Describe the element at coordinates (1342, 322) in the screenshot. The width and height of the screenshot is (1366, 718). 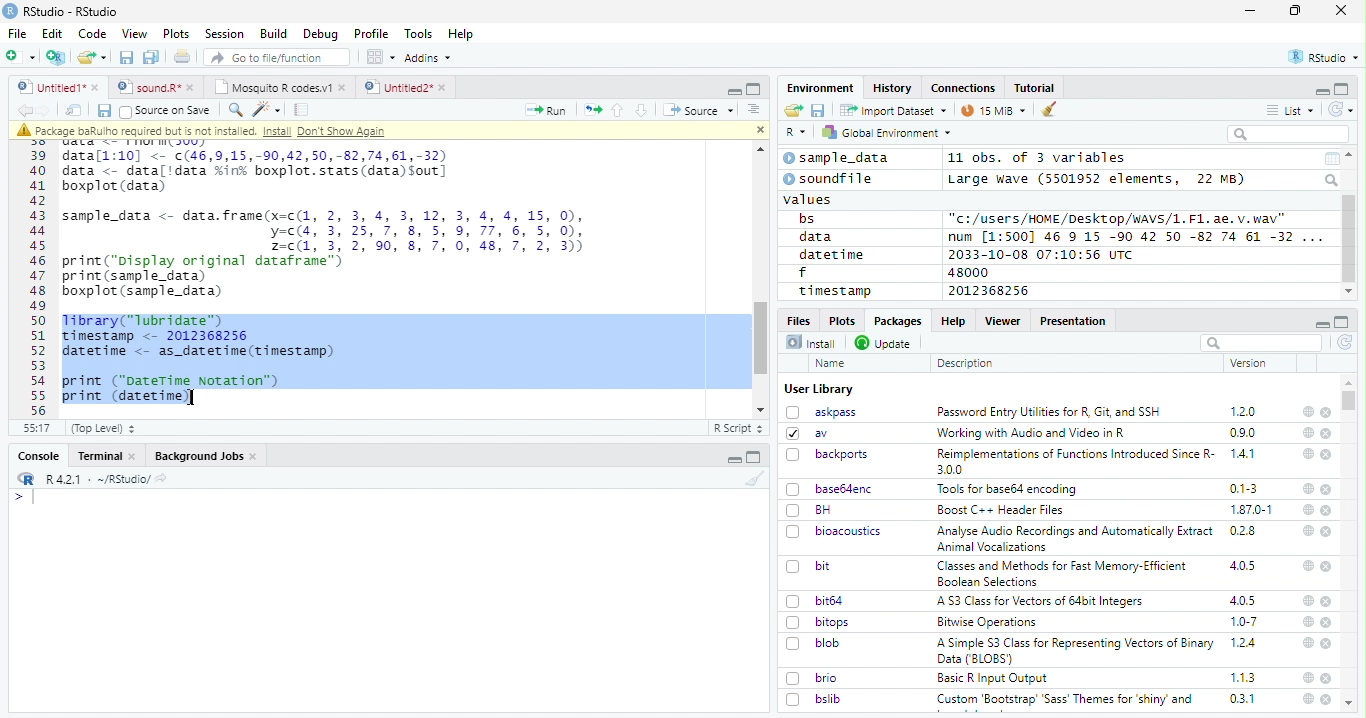
I see `full screen` at that location.